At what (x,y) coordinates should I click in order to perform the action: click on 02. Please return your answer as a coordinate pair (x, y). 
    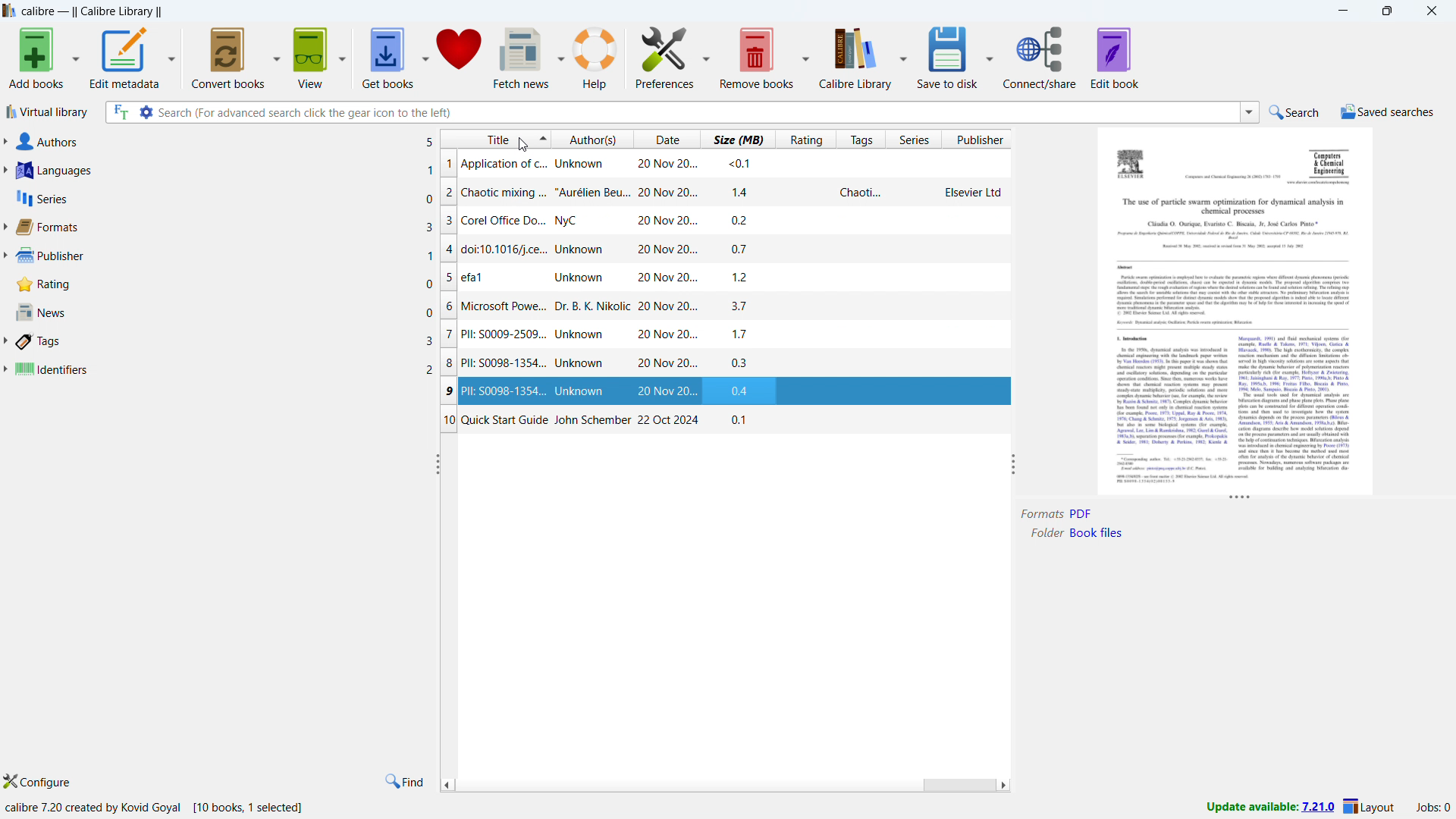
    Looking at the image, I should click on (736, 218).